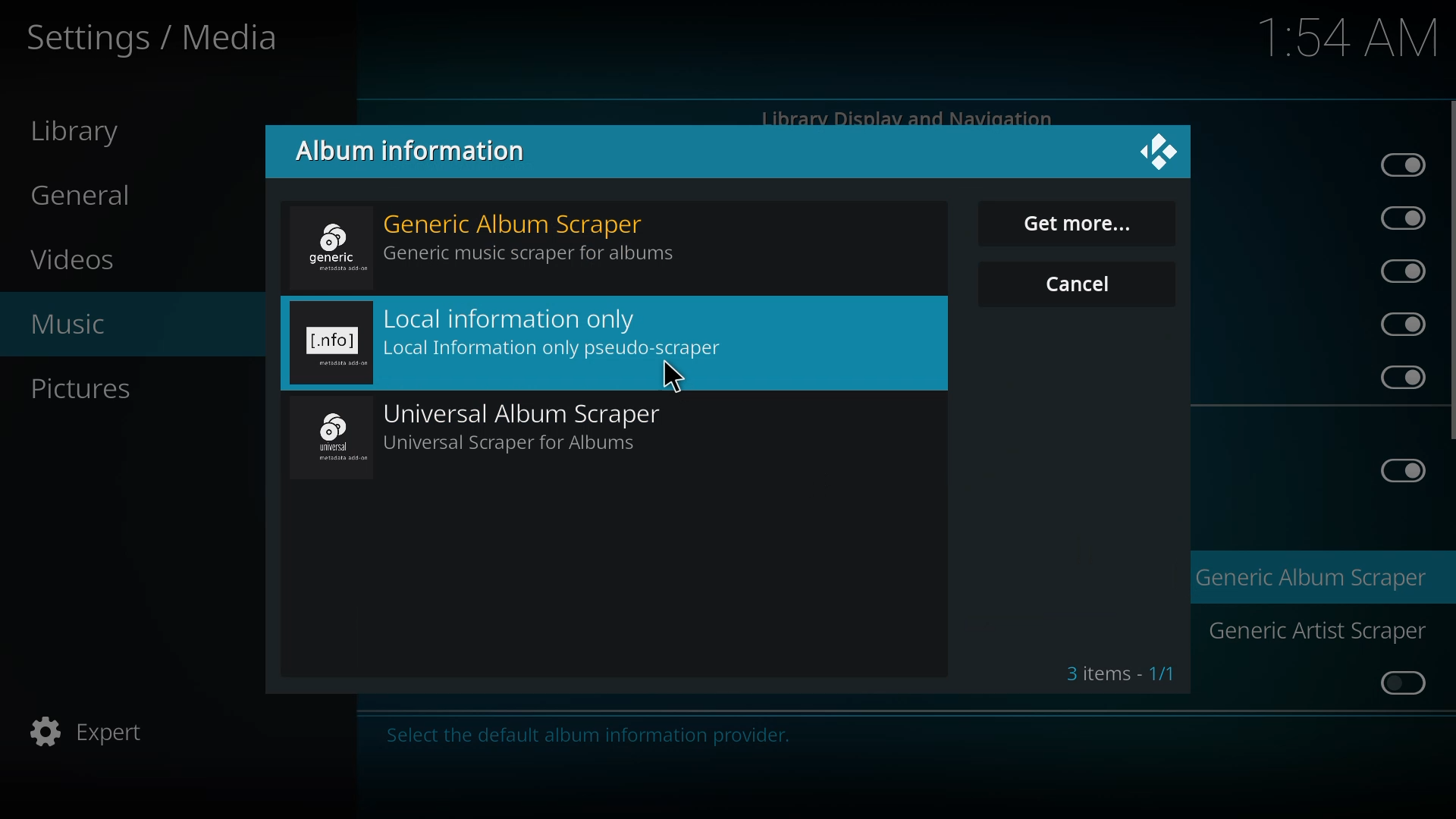 The image size is (1456, 819). Describe the element at coordinates (82, 325) in the screenshot. I see `music` at that location.